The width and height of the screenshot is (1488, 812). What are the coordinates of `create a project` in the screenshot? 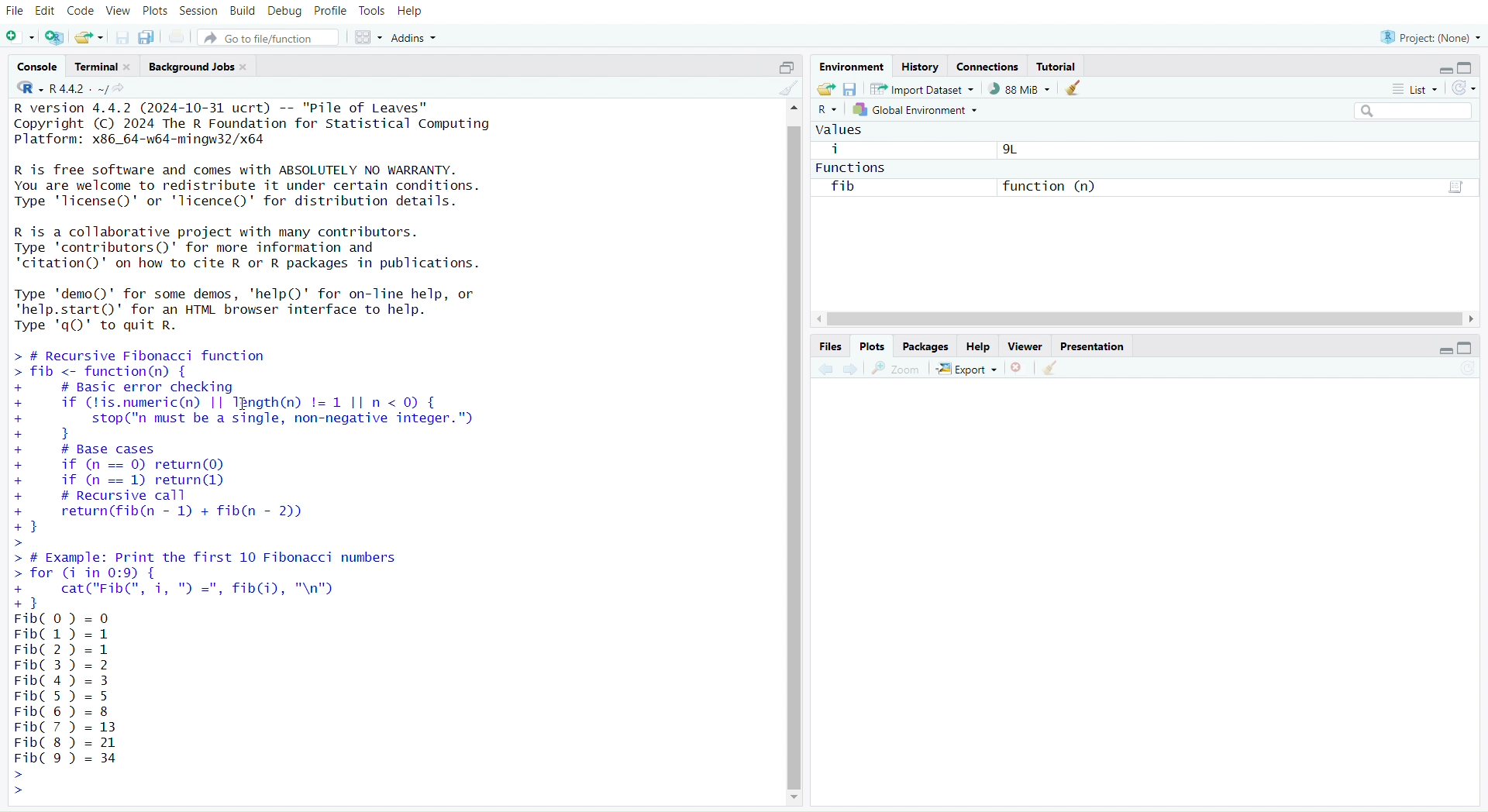 It's located at (55, 39).